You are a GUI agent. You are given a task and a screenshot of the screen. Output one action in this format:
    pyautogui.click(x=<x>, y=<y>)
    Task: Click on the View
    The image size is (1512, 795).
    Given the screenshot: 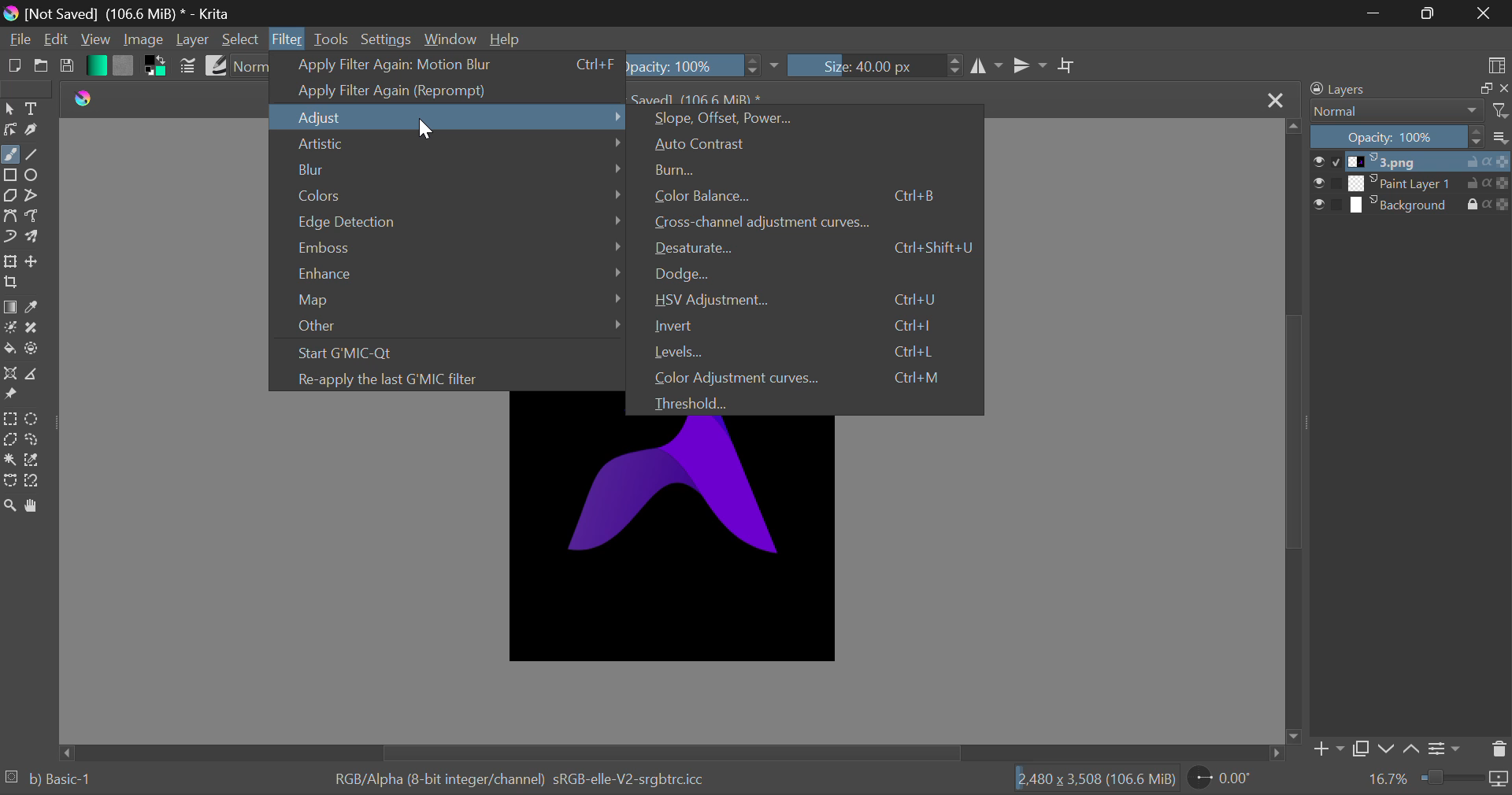 What is the action you would take?
    pyautogui.click(x=95, y=41)
    